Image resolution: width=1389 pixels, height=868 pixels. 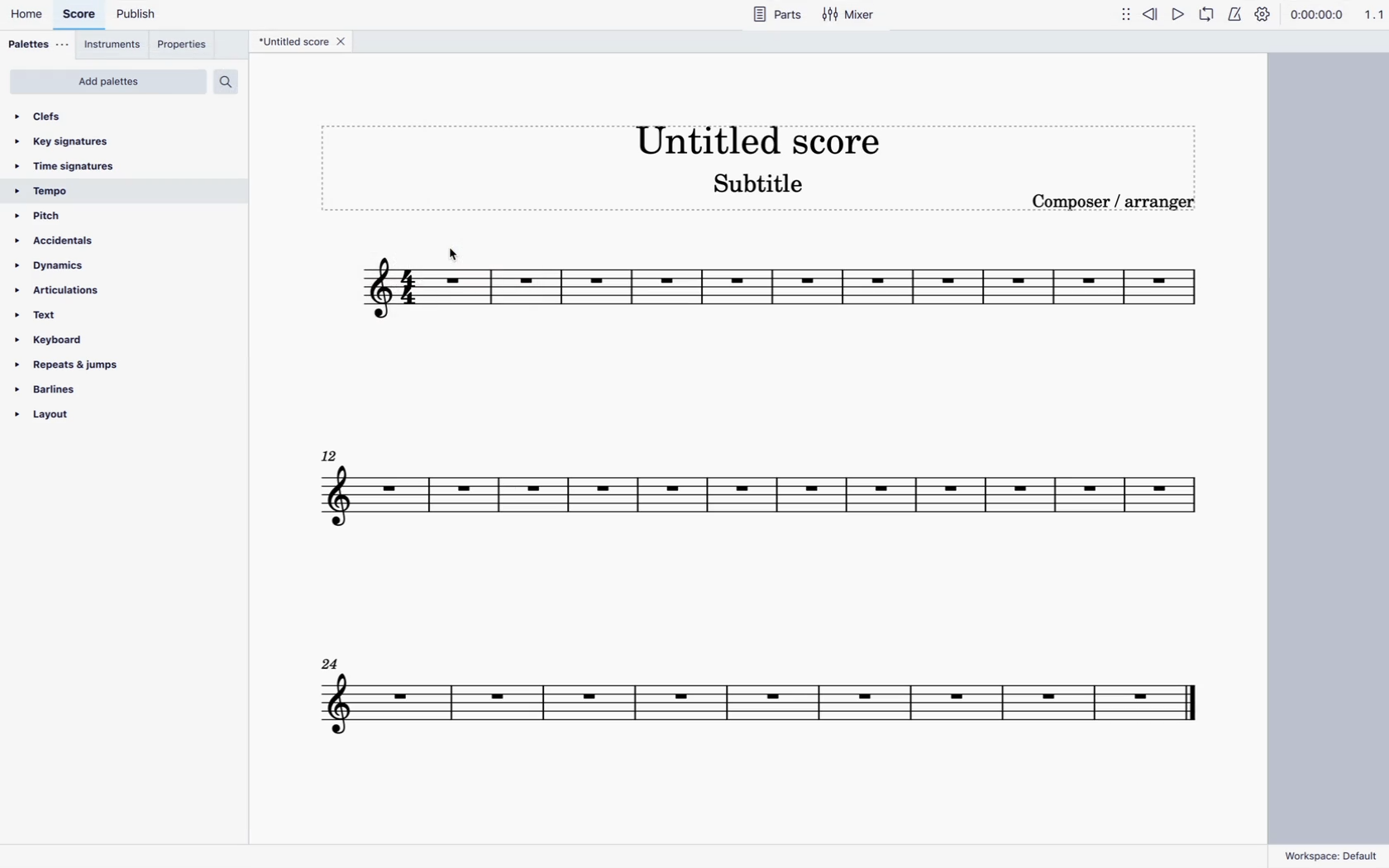 I want to click on tempo, so click(x=49, y=192).